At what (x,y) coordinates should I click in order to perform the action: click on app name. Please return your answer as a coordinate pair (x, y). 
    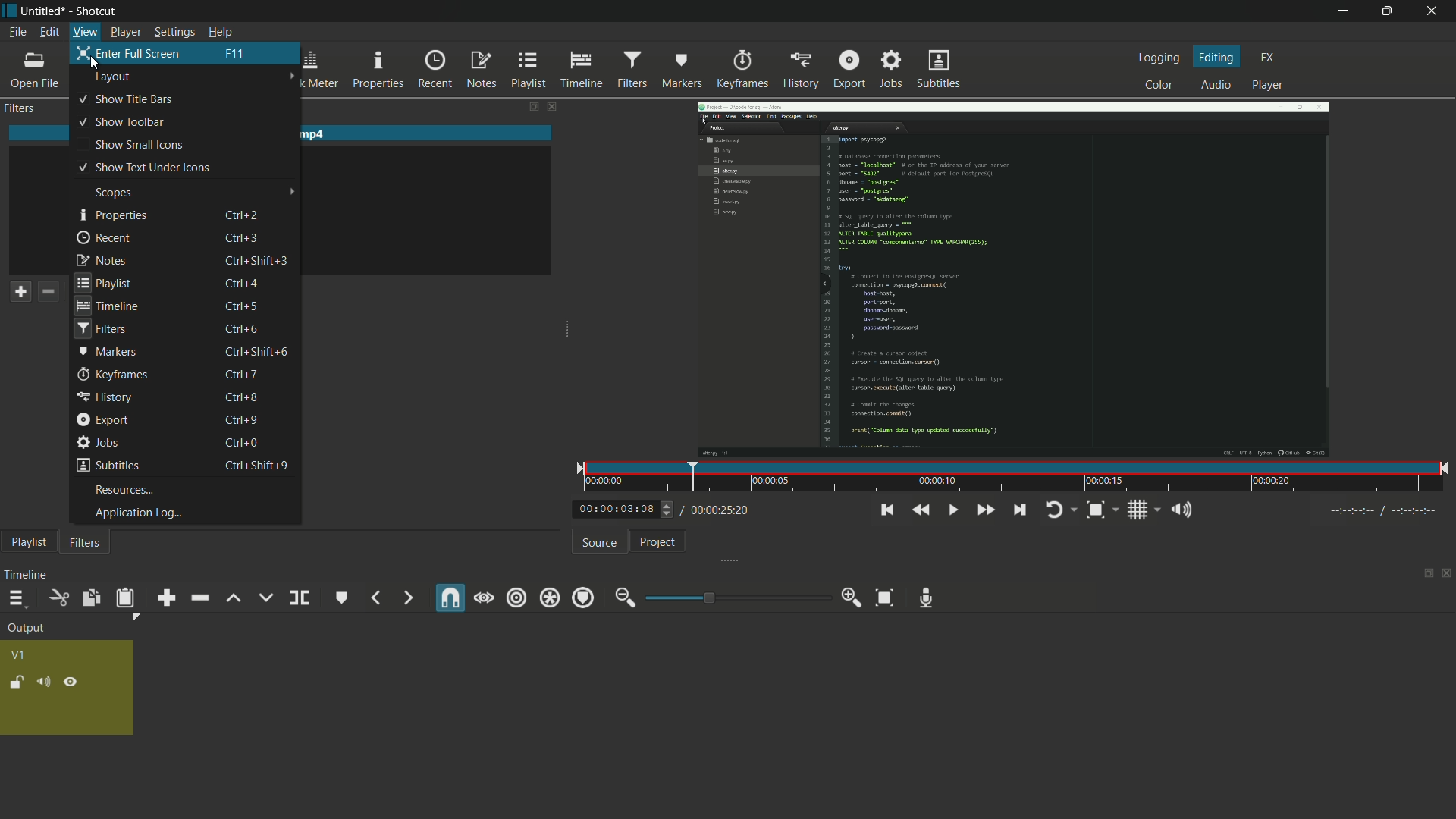
    Looking at the image, I should click on (98, 12).